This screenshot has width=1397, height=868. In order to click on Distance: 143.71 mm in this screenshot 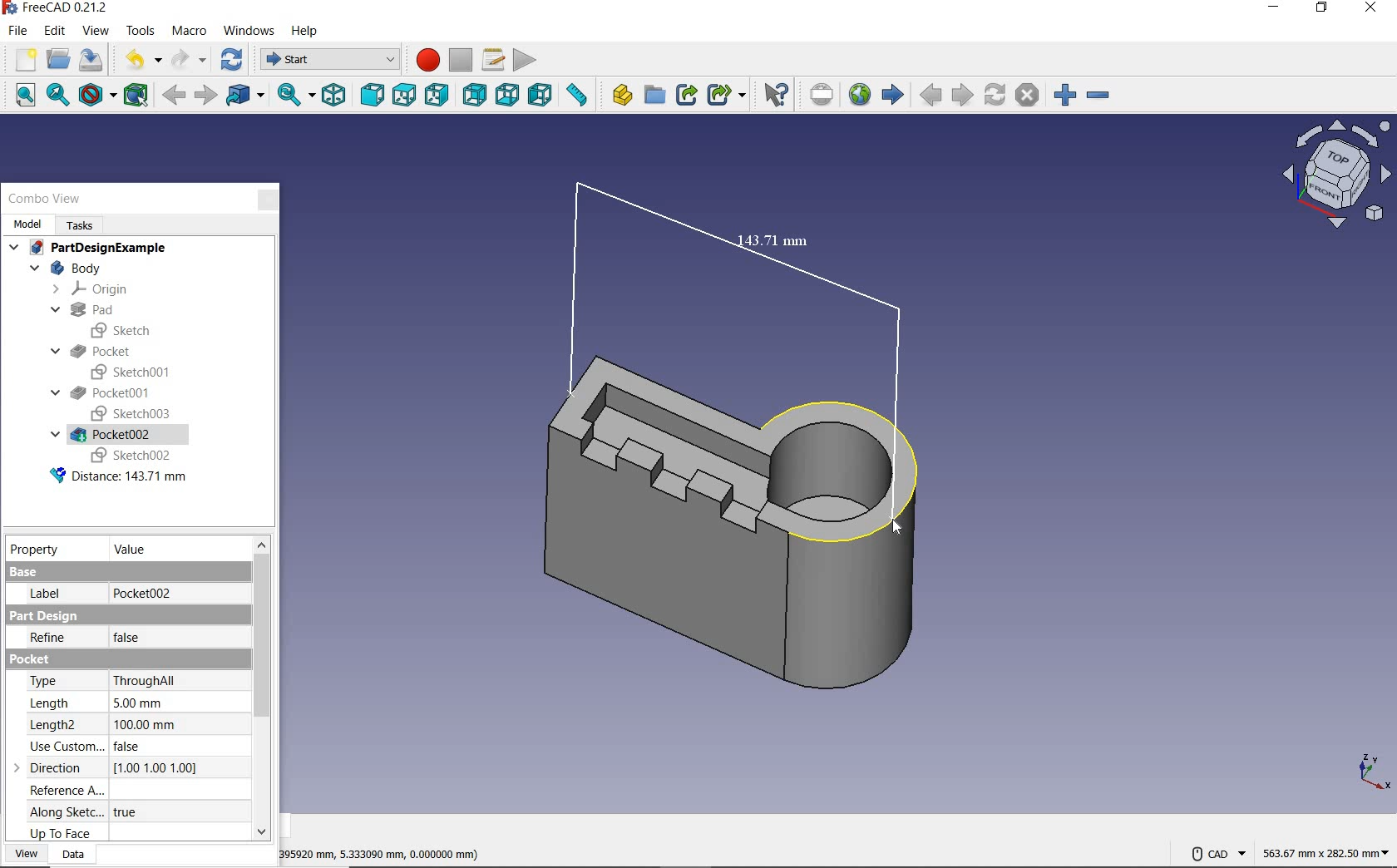, I will do `click(121, 476)`.